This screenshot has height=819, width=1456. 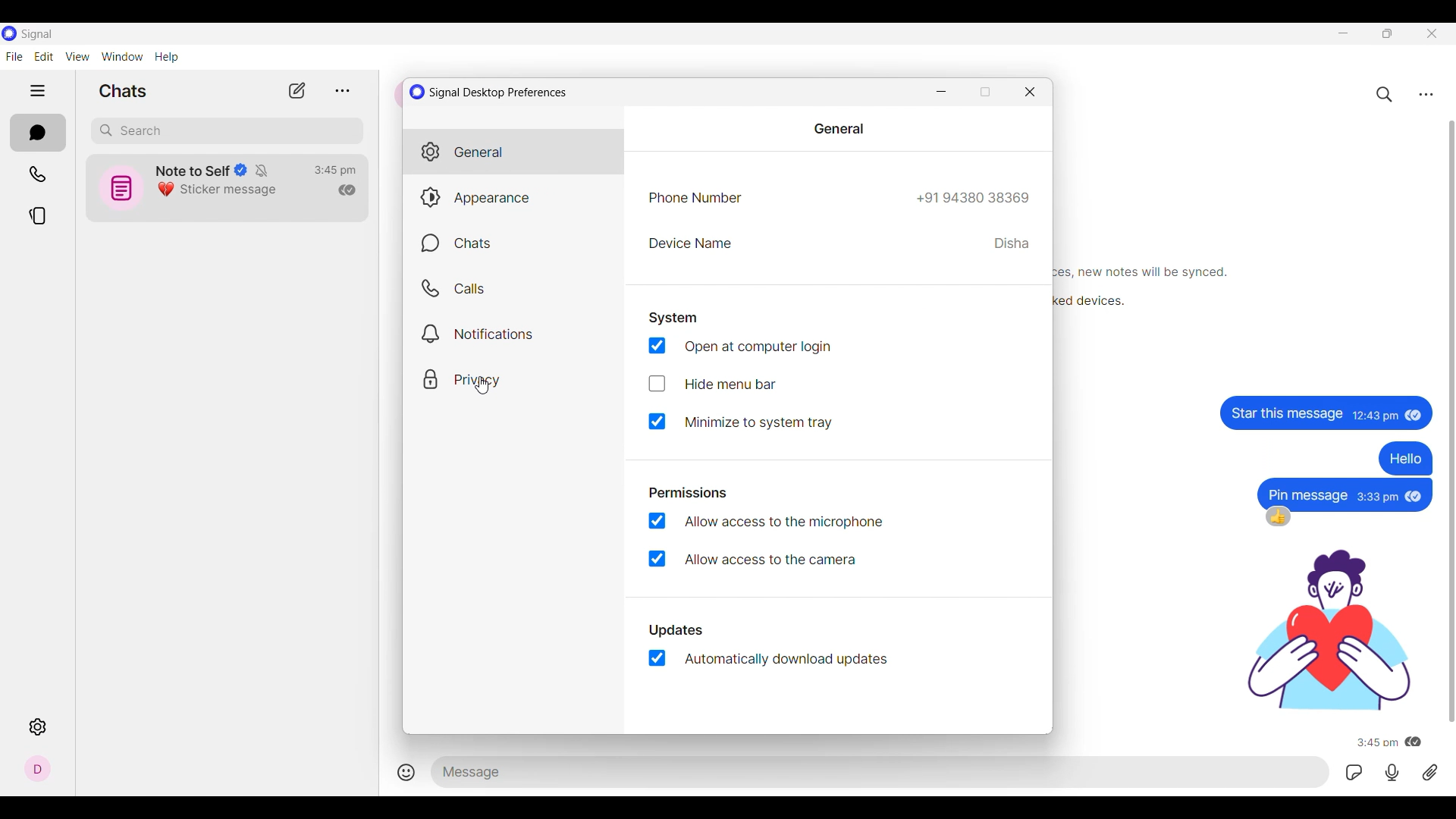 What do you see at coordinates (711, 384) in the screenshot?
I see `Toggle for Hide menu bar` at bounding box center [711, 384].